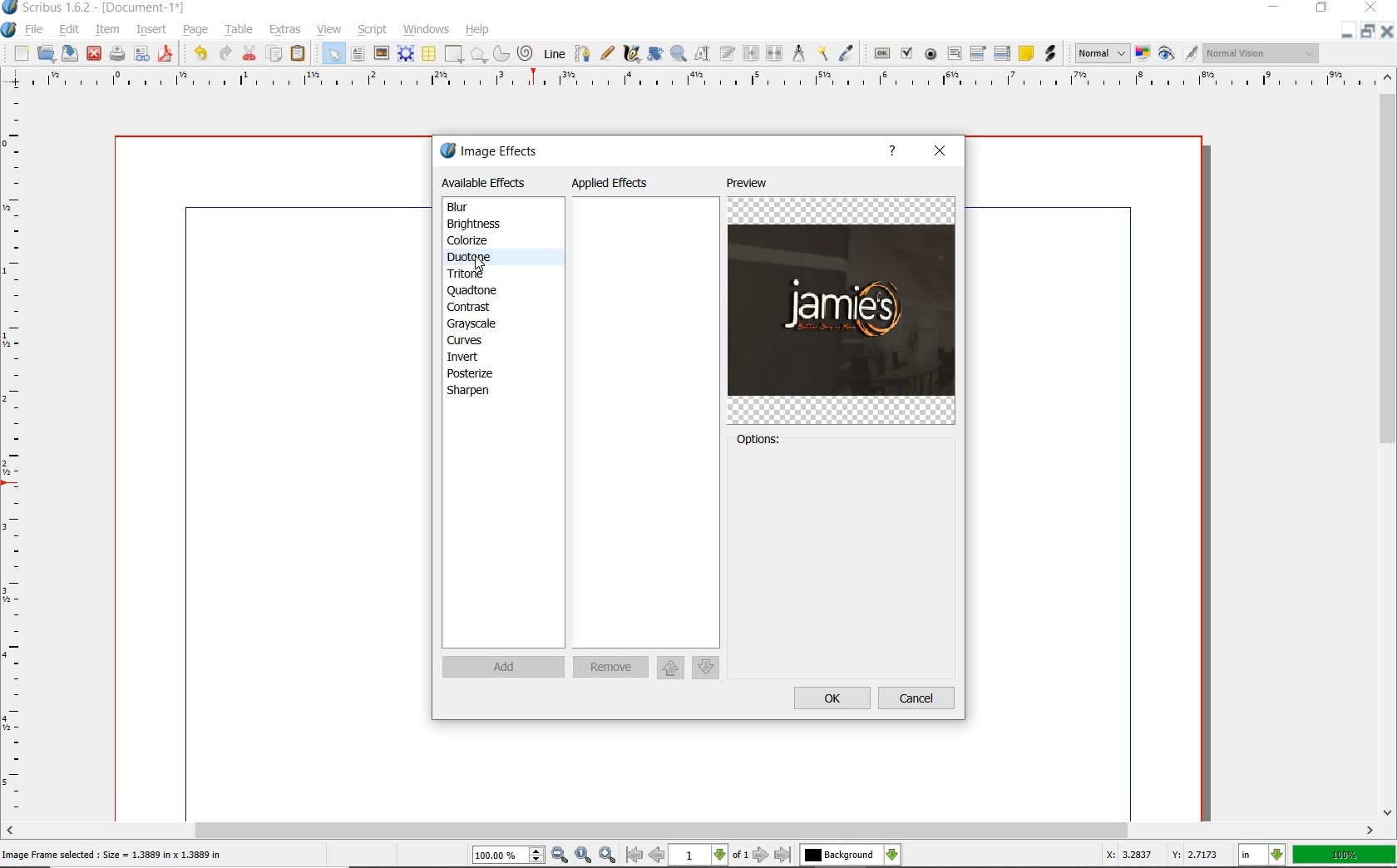  I want to click on Scroll bar, so click(690, 830).